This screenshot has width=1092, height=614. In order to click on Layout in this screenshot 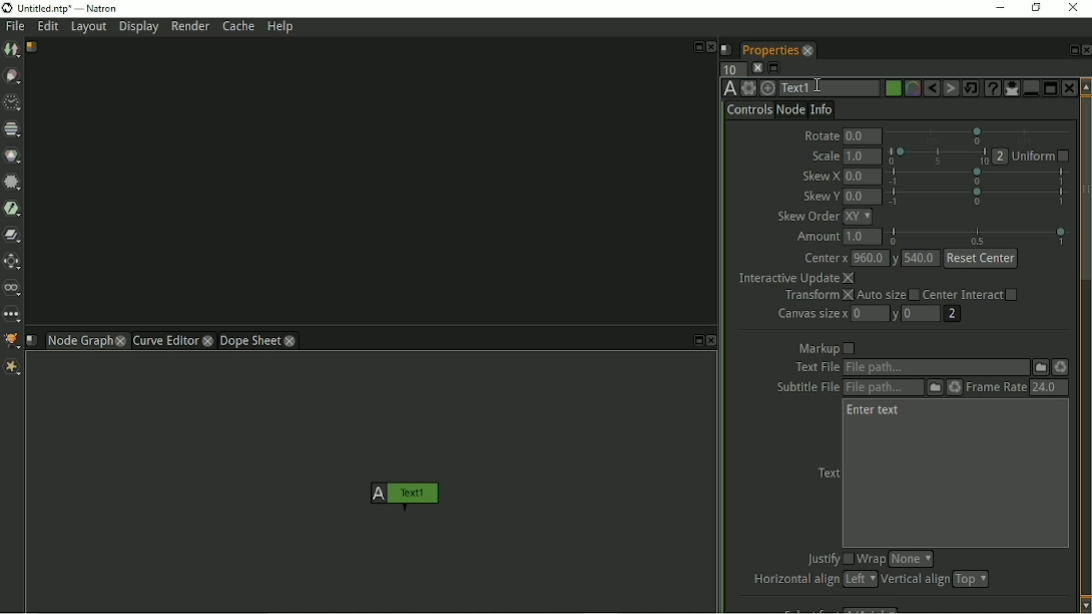, I will do `click(88, 28)`.